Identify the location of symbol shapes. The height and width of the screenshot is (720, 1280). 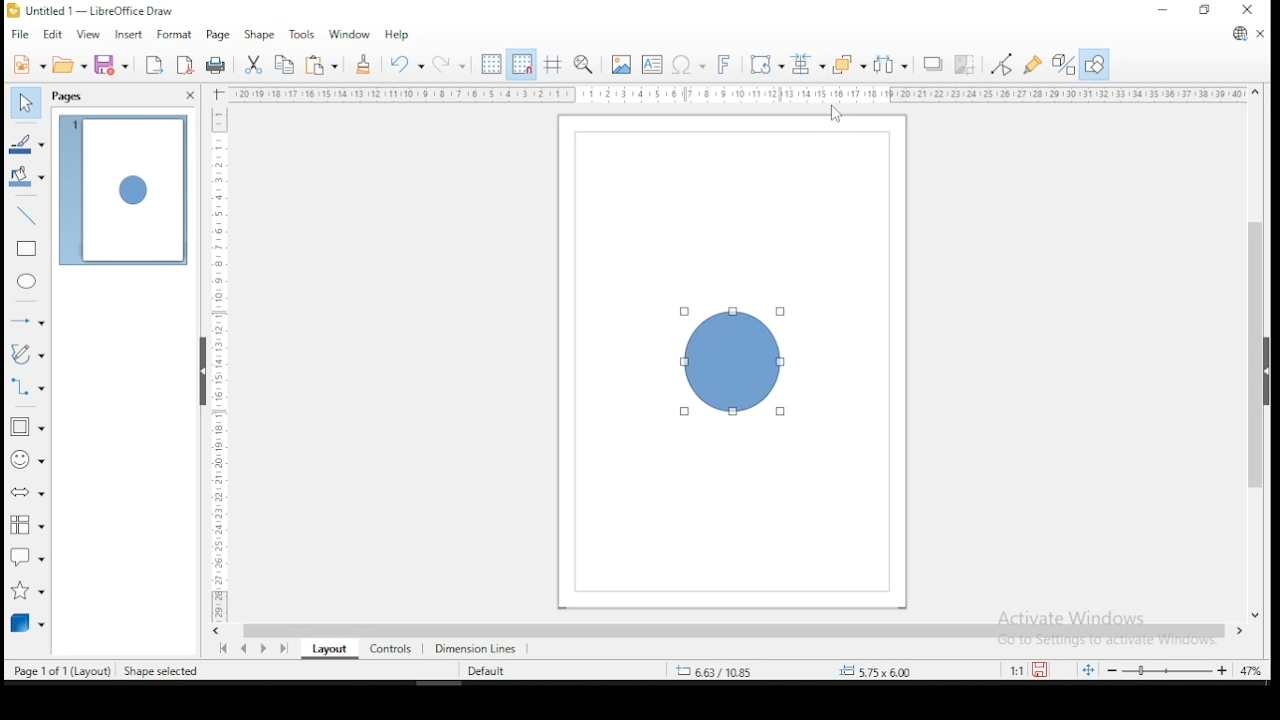
(27, 459).